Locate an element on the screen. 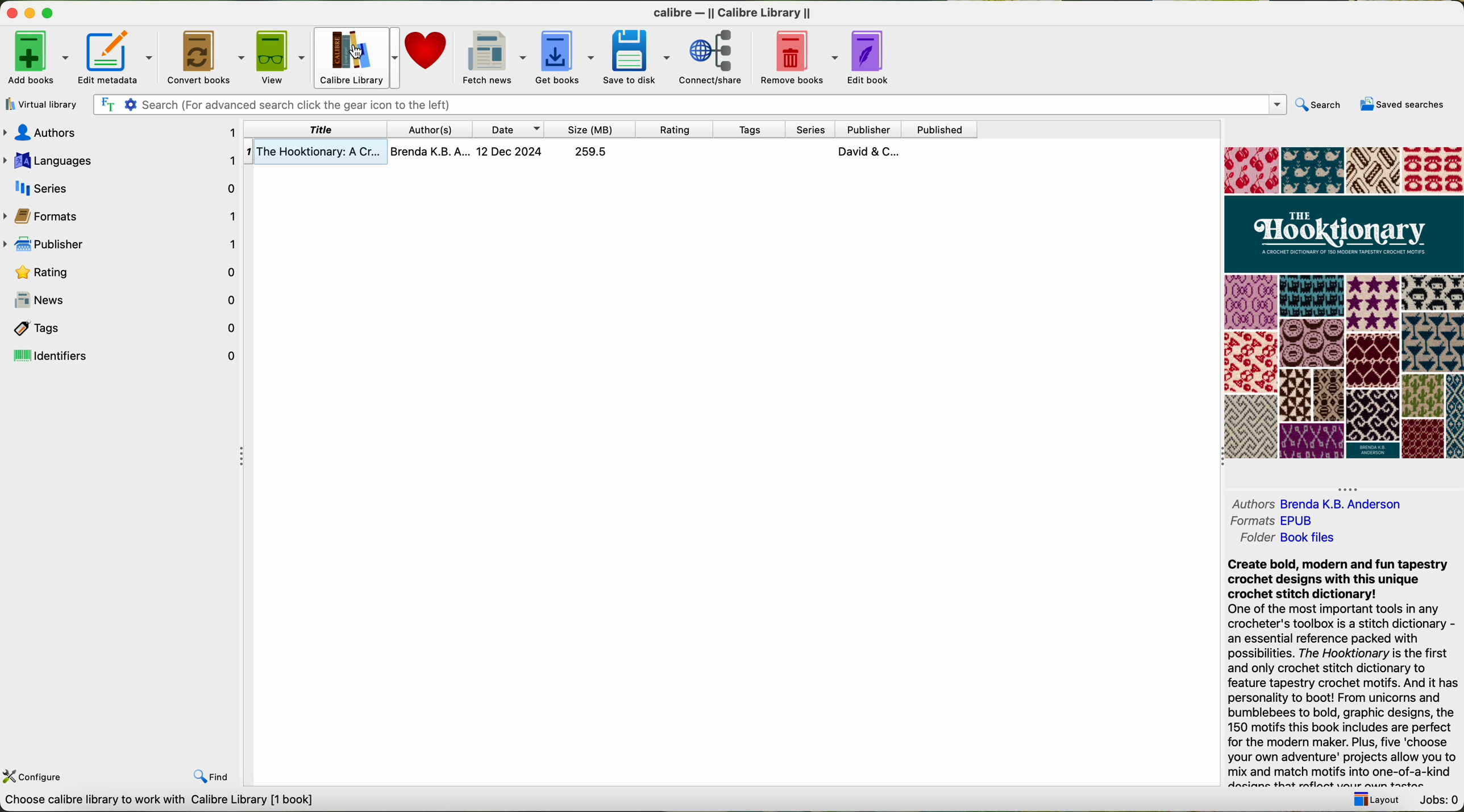 This screenshot has width=1464, height=812. hide is located at coordinates (1349, 487).